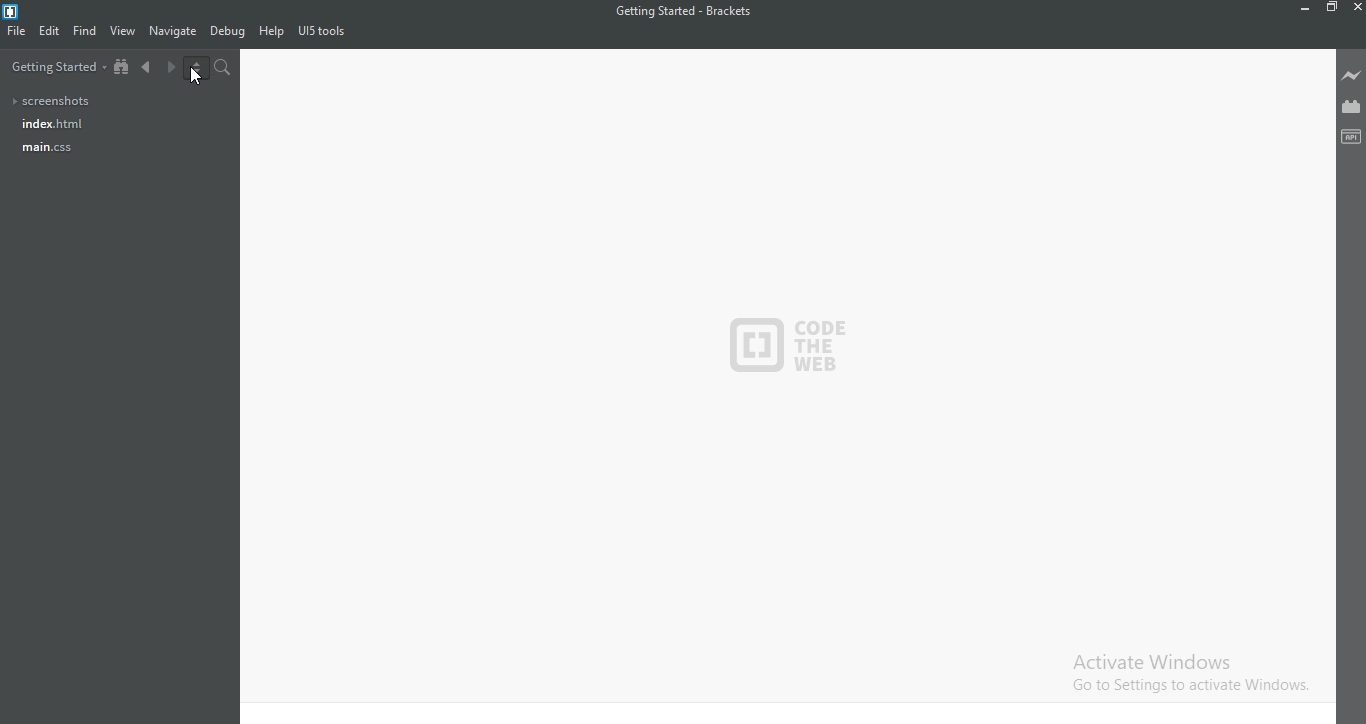 The height and width of the screenshot is (724, 1366). What do you see at coordinates (1352, 76) in the screenshot?
I see `Live preview` at bounding box center [1352, 76].